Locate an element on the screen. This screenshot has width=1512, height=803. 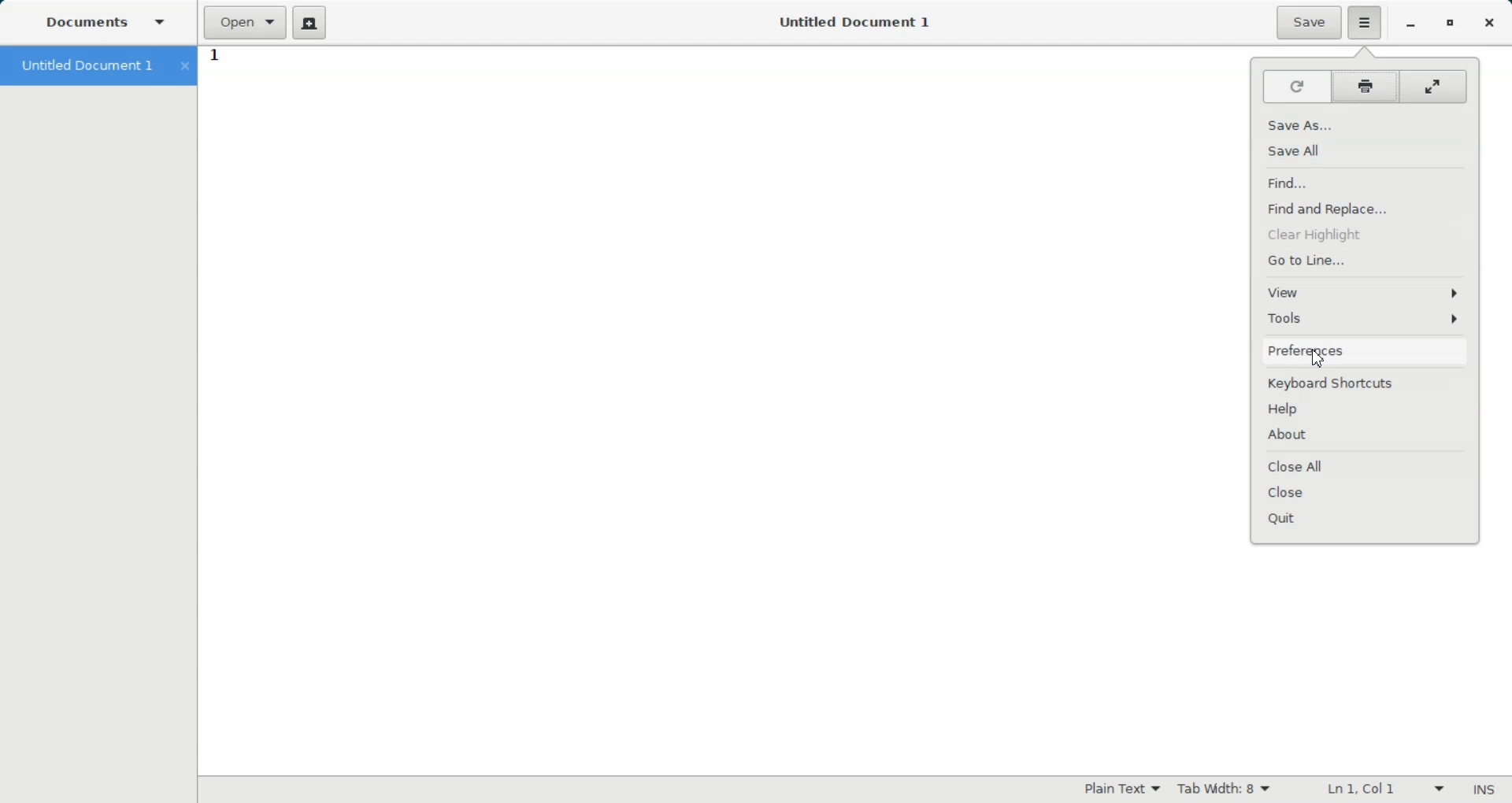
Save As is located at coordinates (1365, 124).